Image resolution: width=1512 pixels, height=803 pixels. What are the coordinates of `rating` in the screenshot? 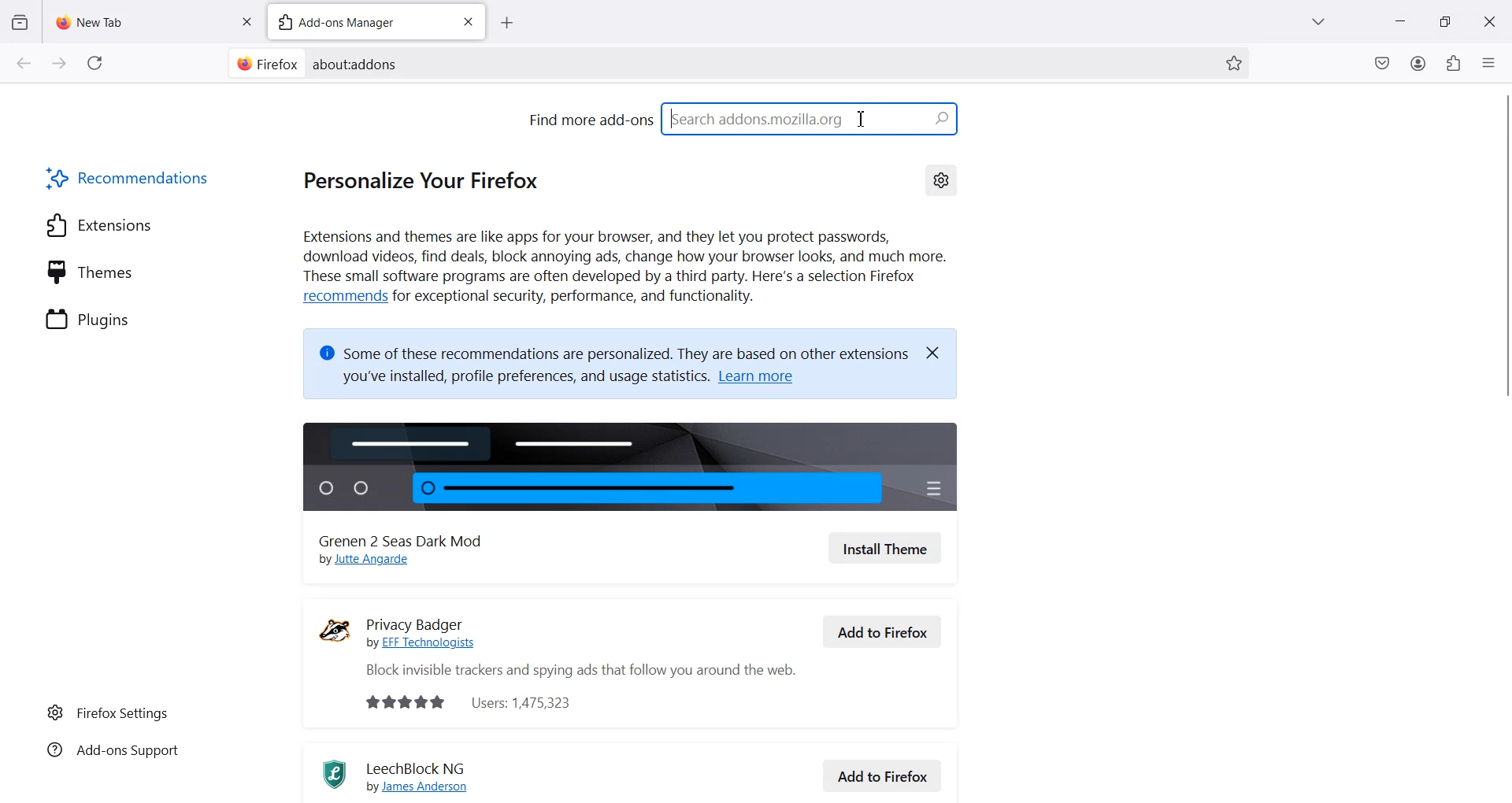 It's located at (398, 702).